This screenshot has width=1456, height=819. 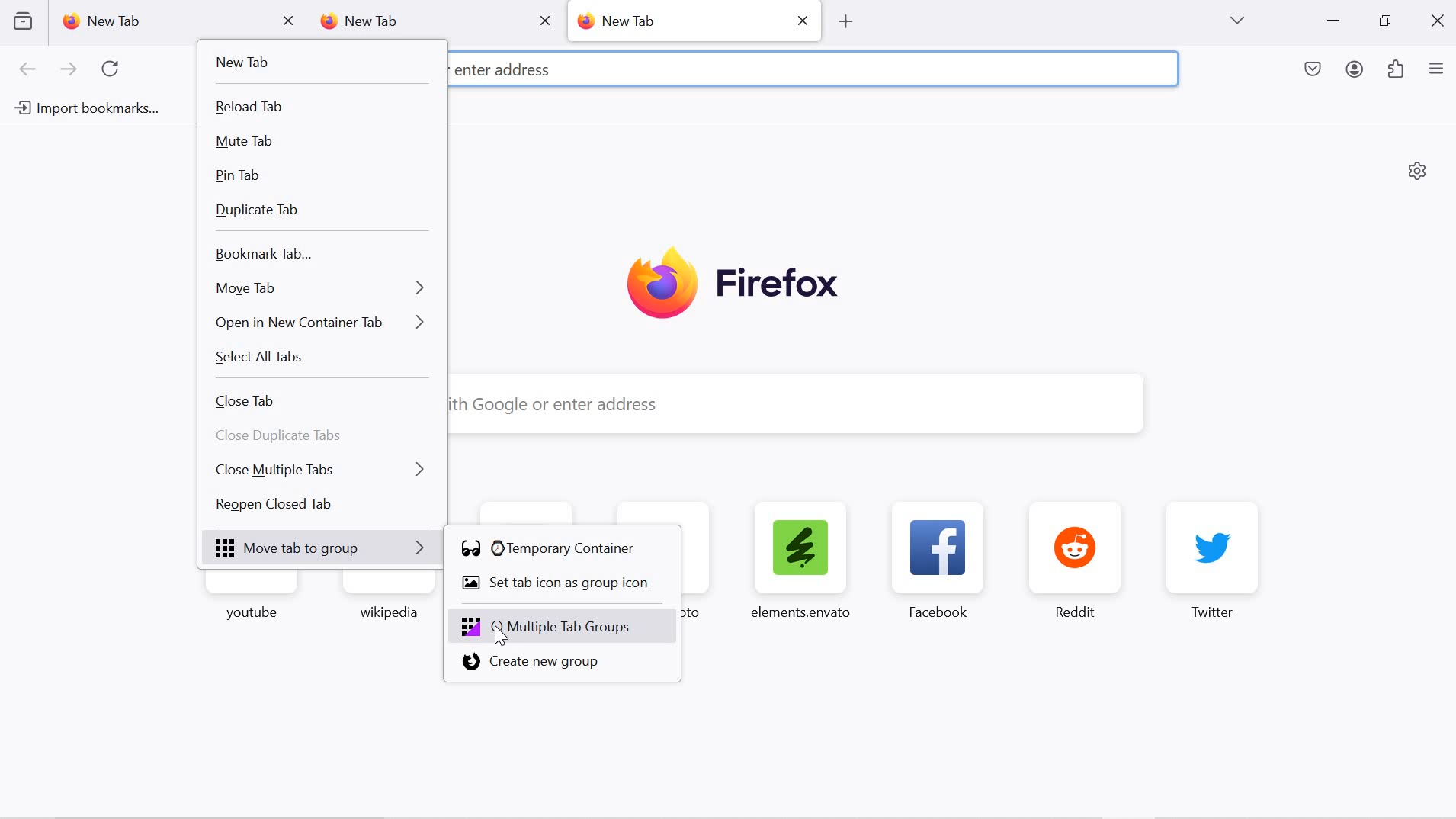 What do you see at coordinates (733, 285) in the screenshot?
I see `Firefox logo` at bounding box center [733, 285].